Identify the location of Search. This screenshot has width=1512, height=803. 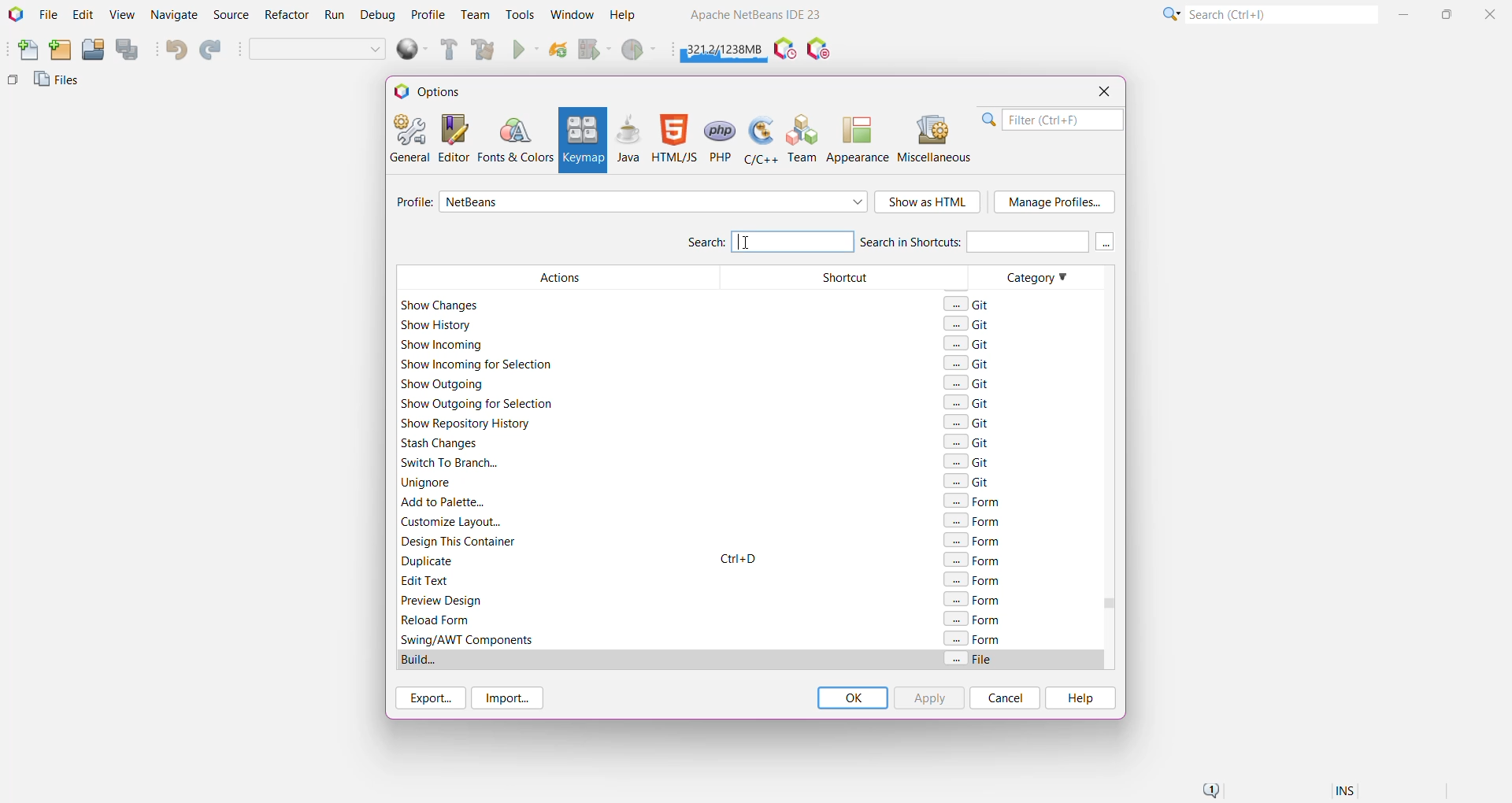
(769, 240).